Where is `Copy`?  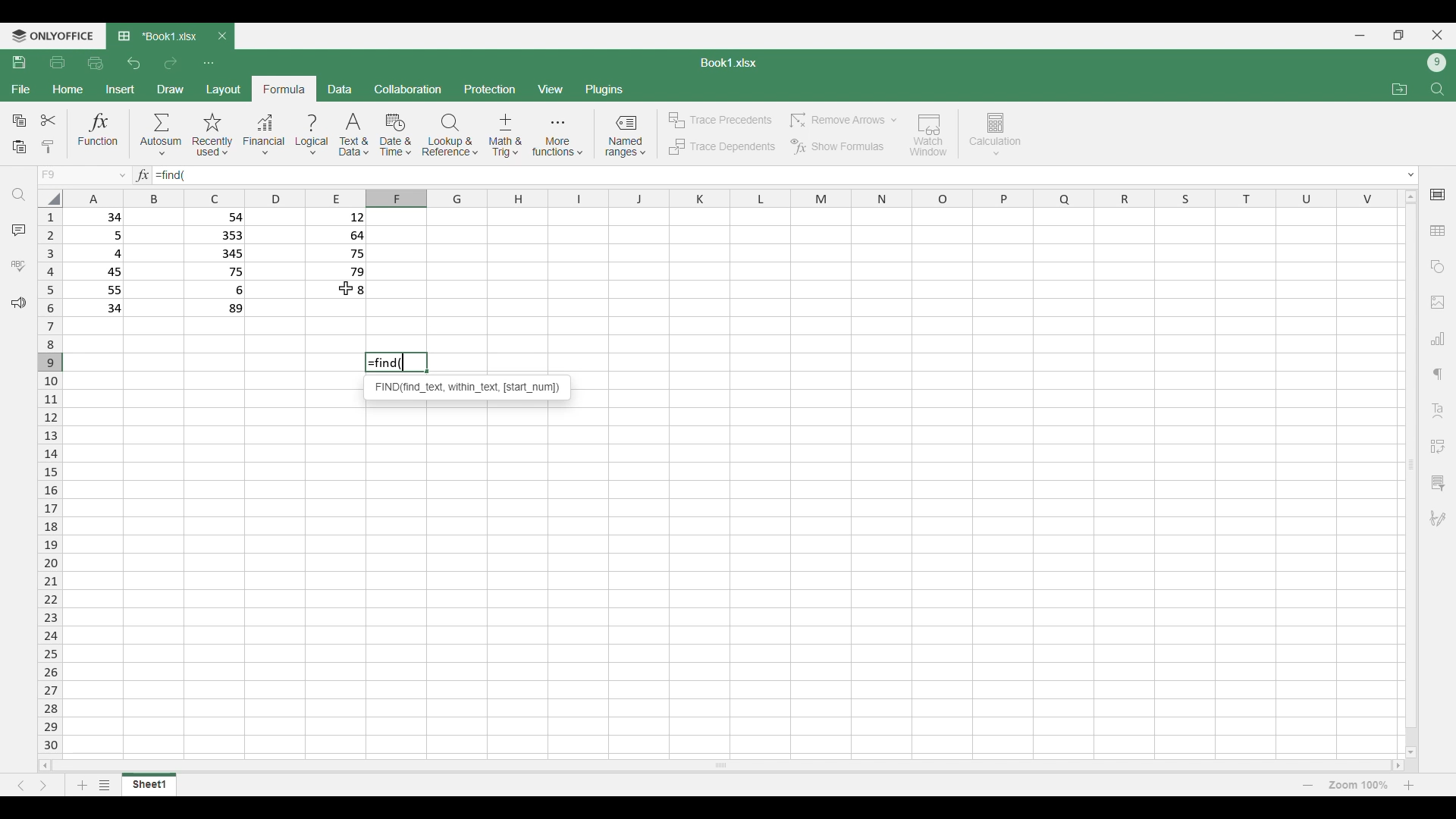
Copy is located at coordinates (18, 121).